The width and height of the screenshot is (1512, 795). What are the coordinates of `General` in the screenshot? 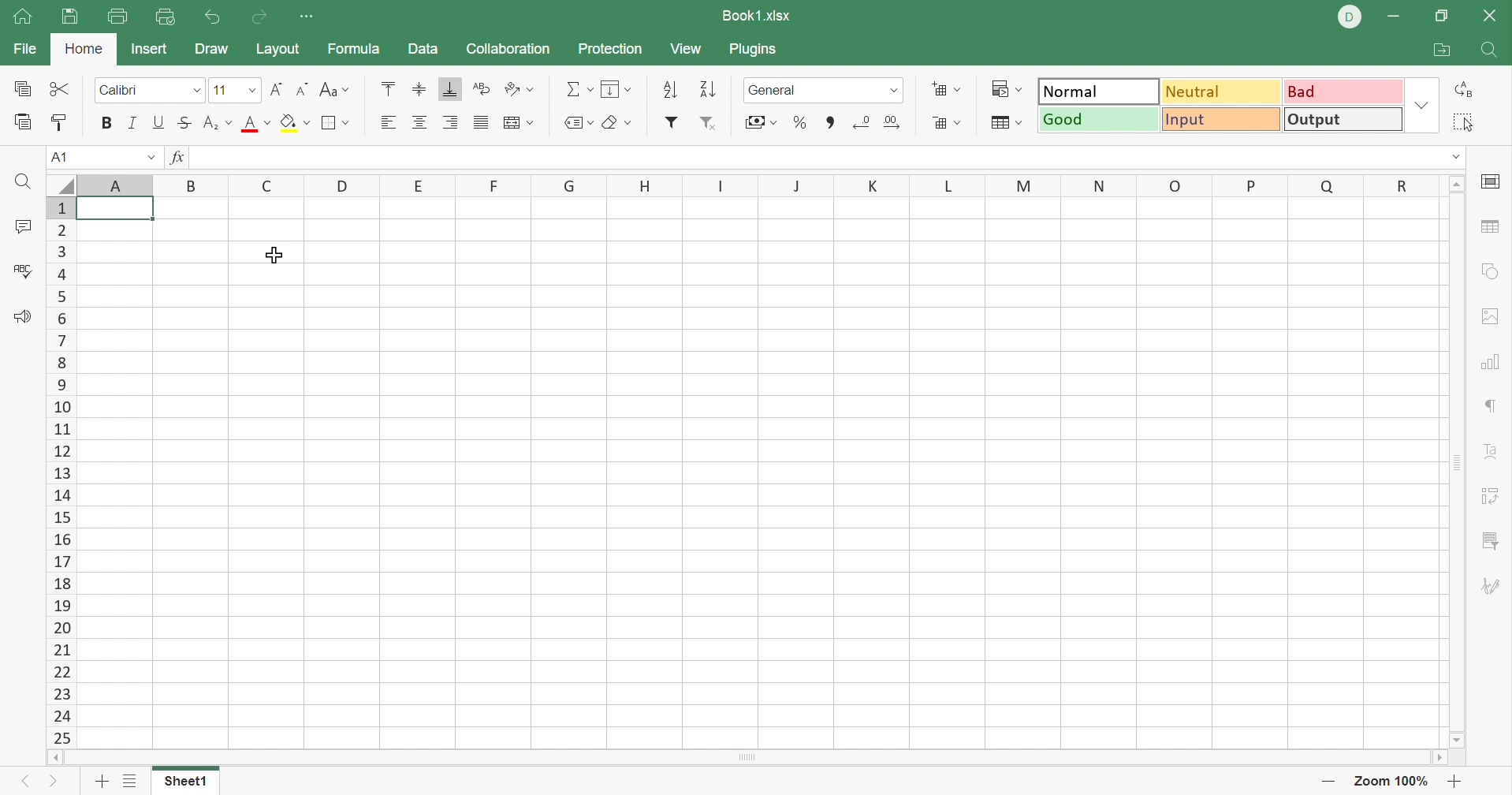 It's located at (780, 91).